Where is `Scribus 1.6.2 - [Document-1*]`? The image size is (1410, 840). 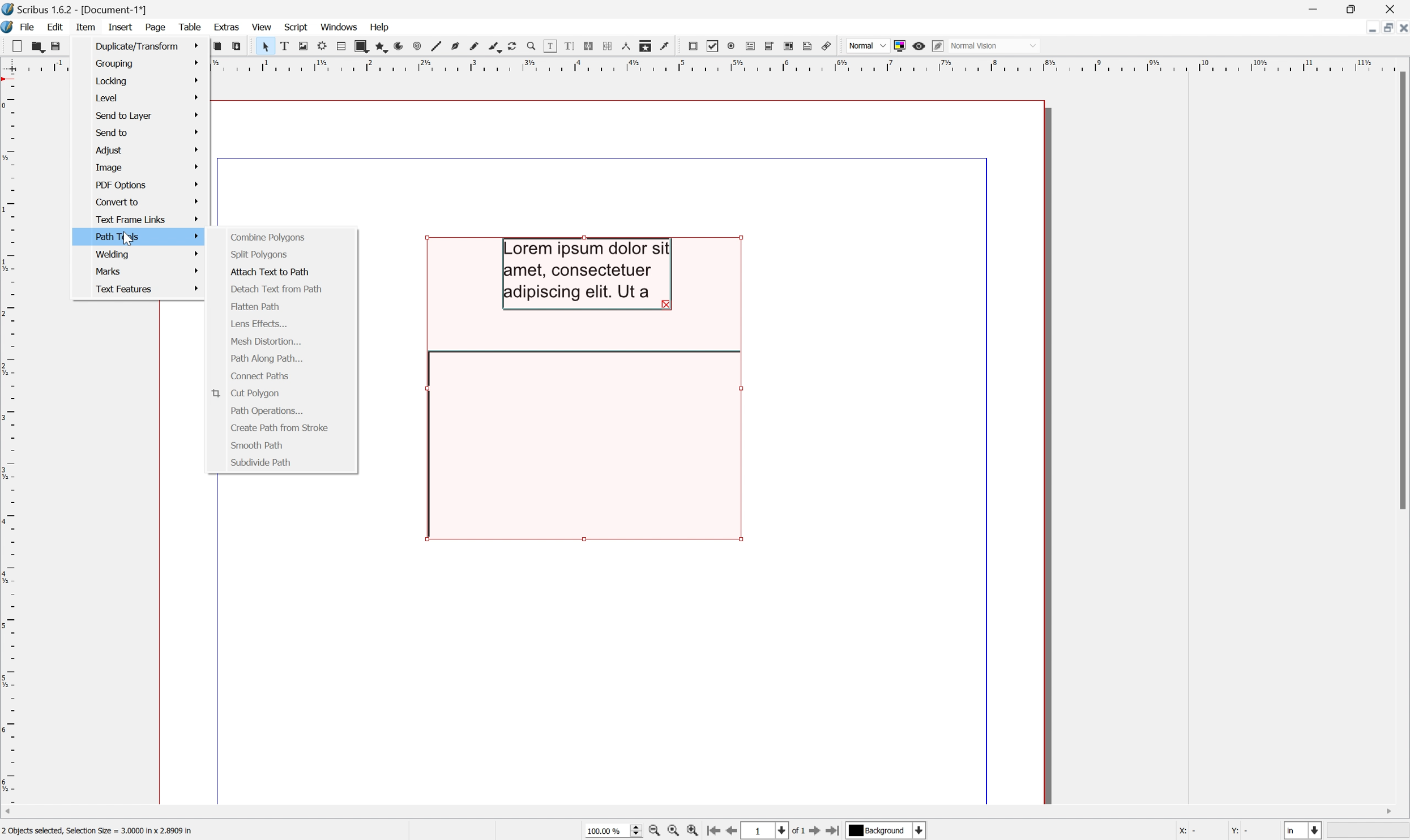
Scribus 1.6.2 - [Document-1*] is located at coordinates (72, 10).